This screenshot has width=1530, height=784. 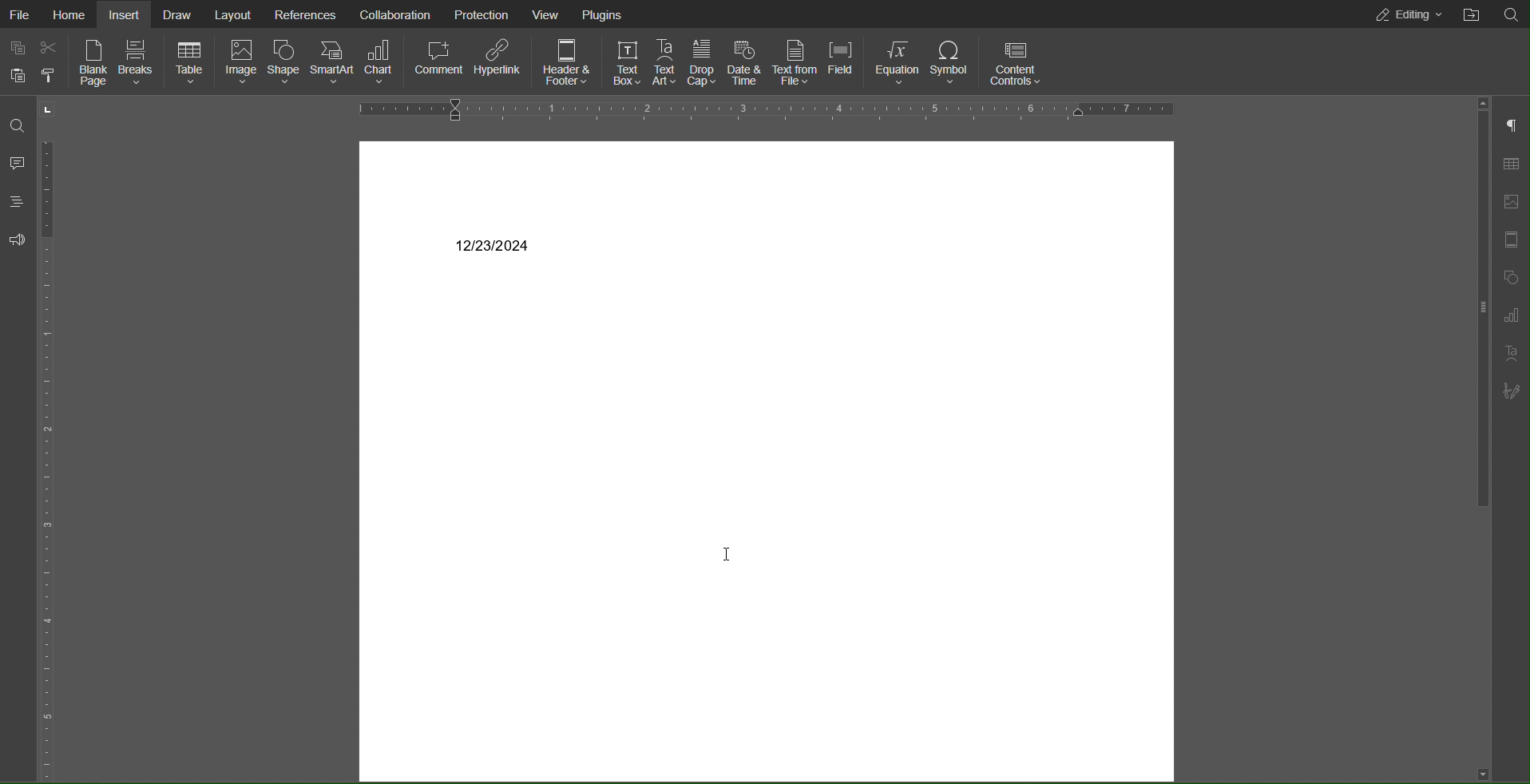 I want to click on Text from File, so click(x=795, y=61).